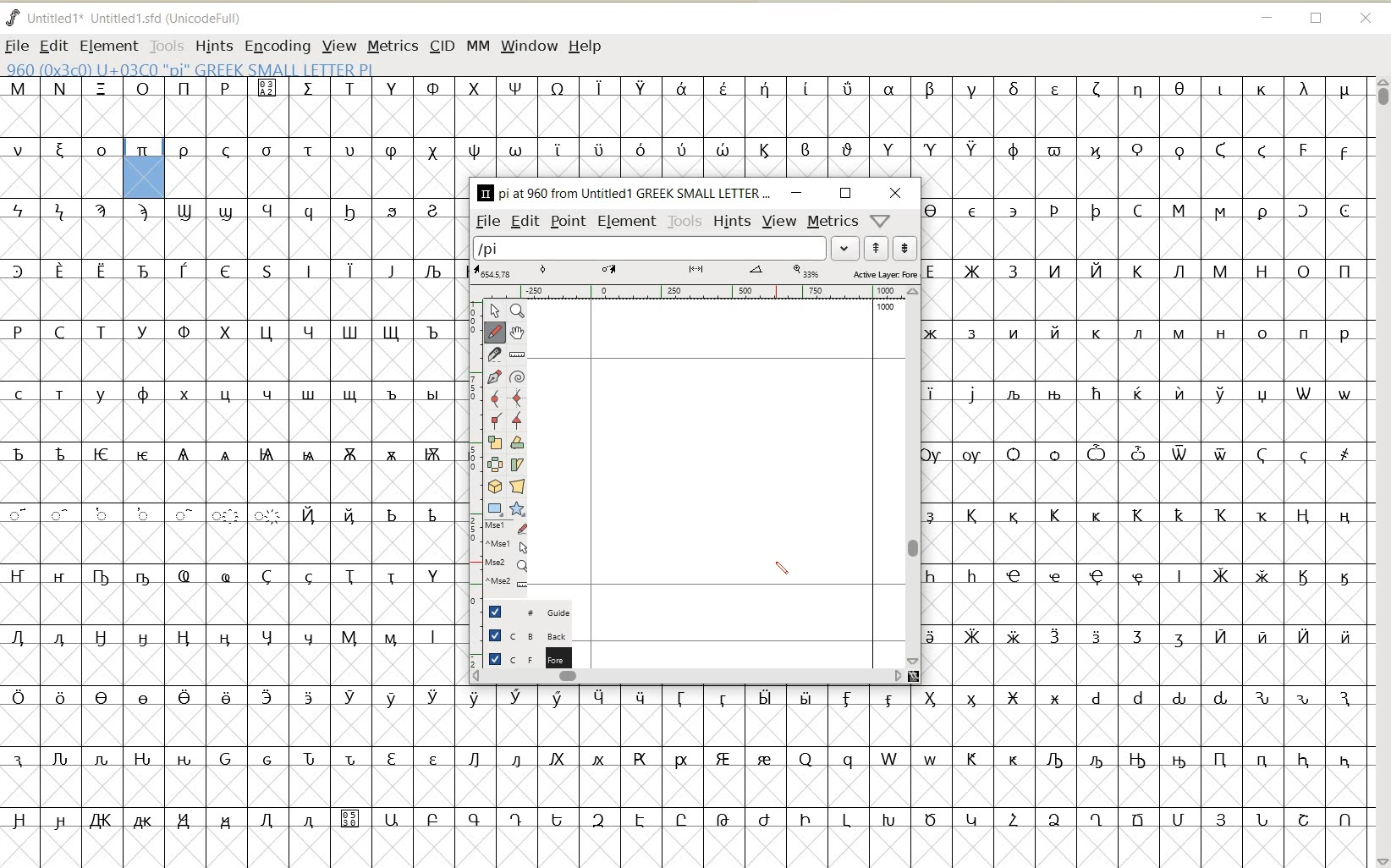 The image size is (1391, 868). Describe the element at coordinates (518, 442) in the screenshot. I see `Rotate the selection` at that location.